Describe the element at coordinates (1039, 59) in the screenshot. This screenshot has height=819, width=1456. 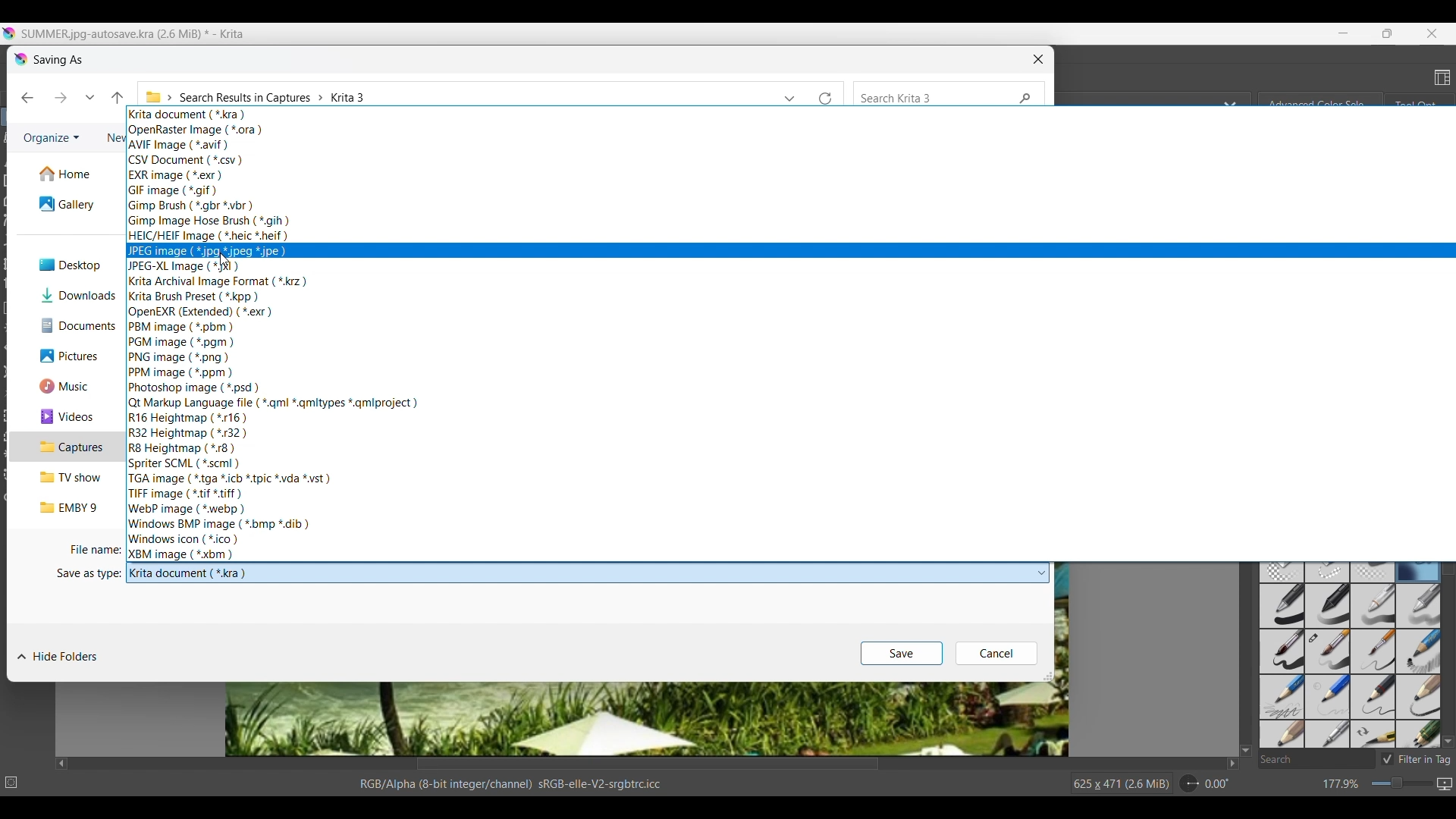
I see `Close window` at that location.